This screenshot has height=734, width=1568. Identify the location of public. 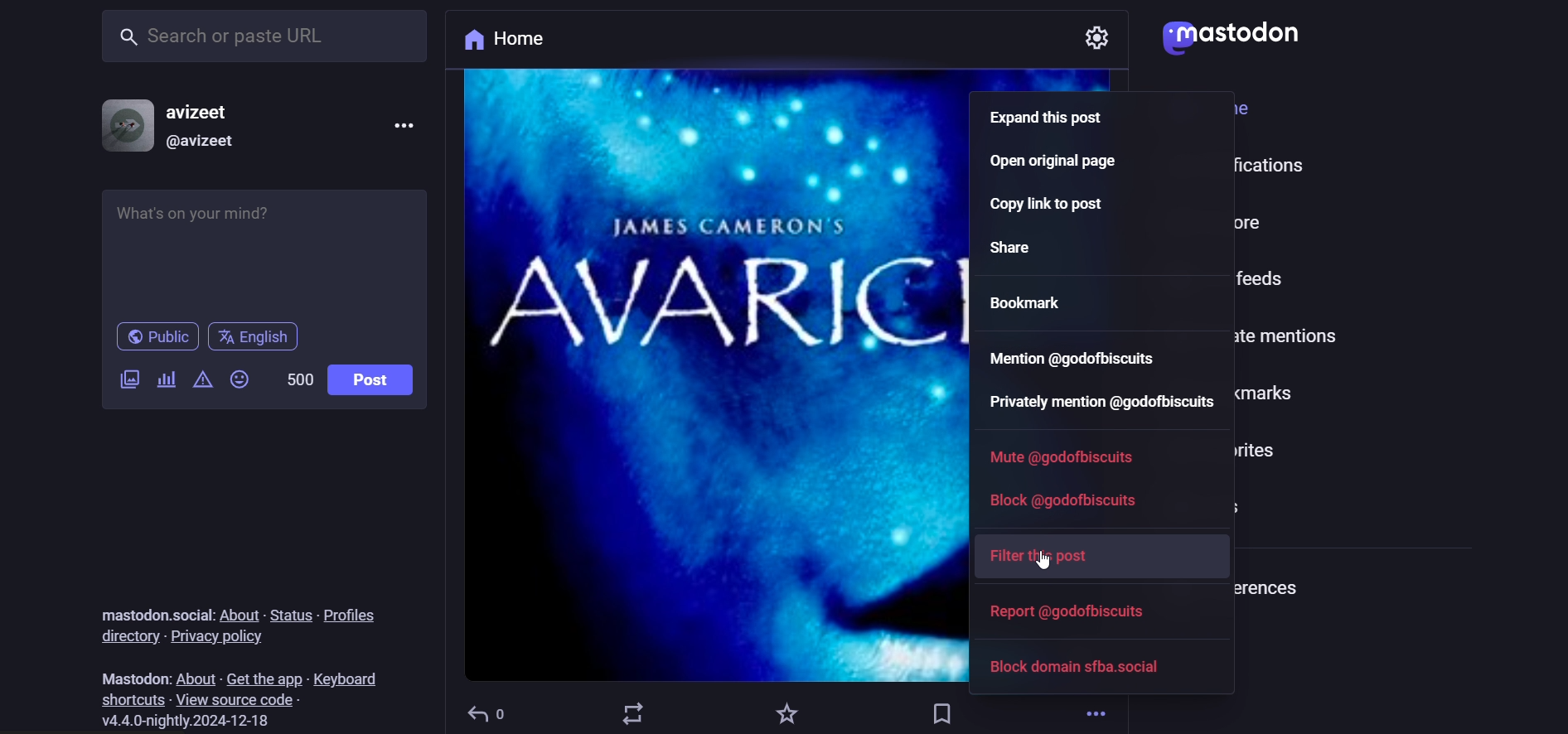
(157, 338).